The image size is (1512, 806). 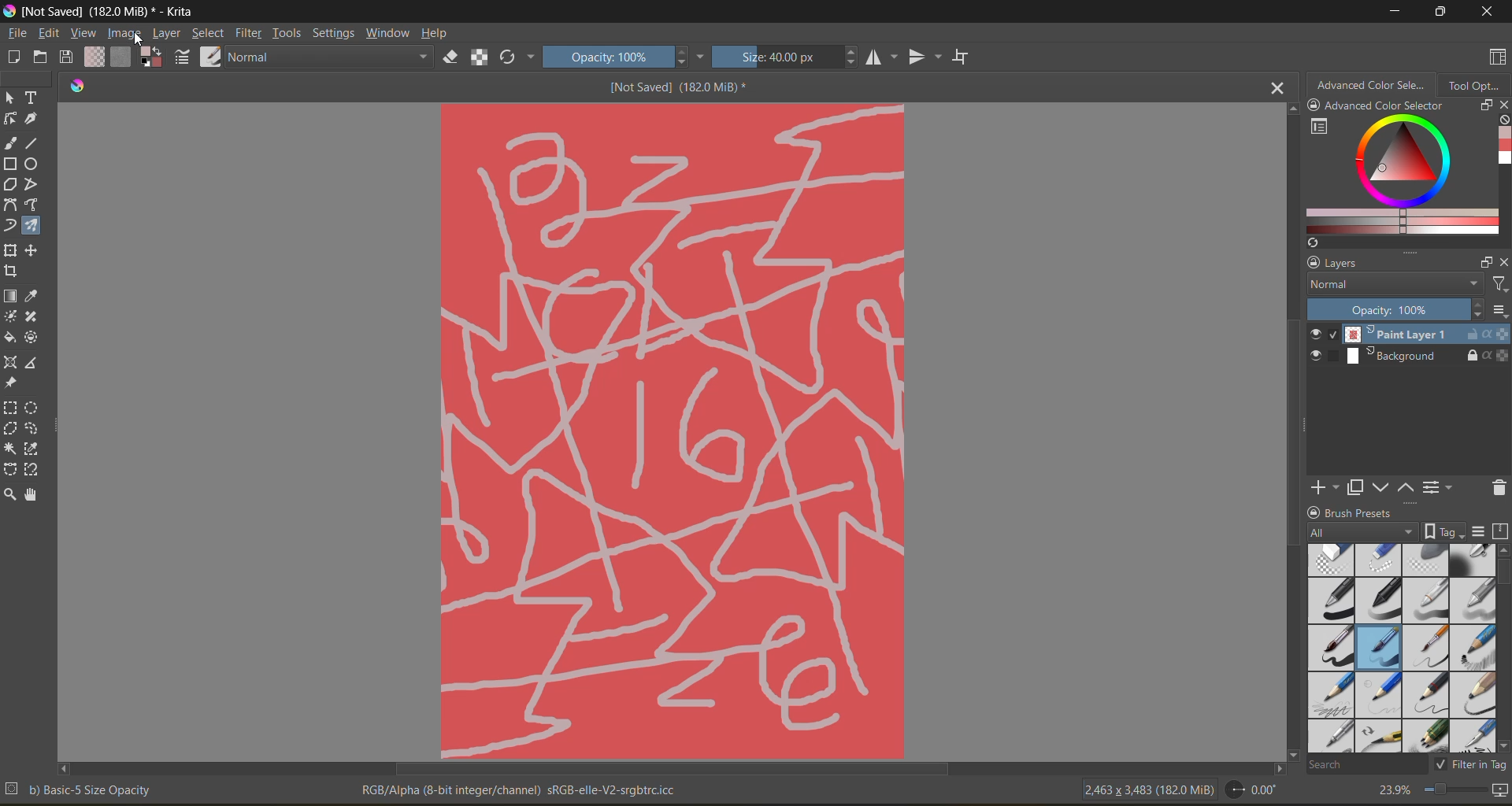 I want to click on choose workspace, so click(x=1499, y=57).